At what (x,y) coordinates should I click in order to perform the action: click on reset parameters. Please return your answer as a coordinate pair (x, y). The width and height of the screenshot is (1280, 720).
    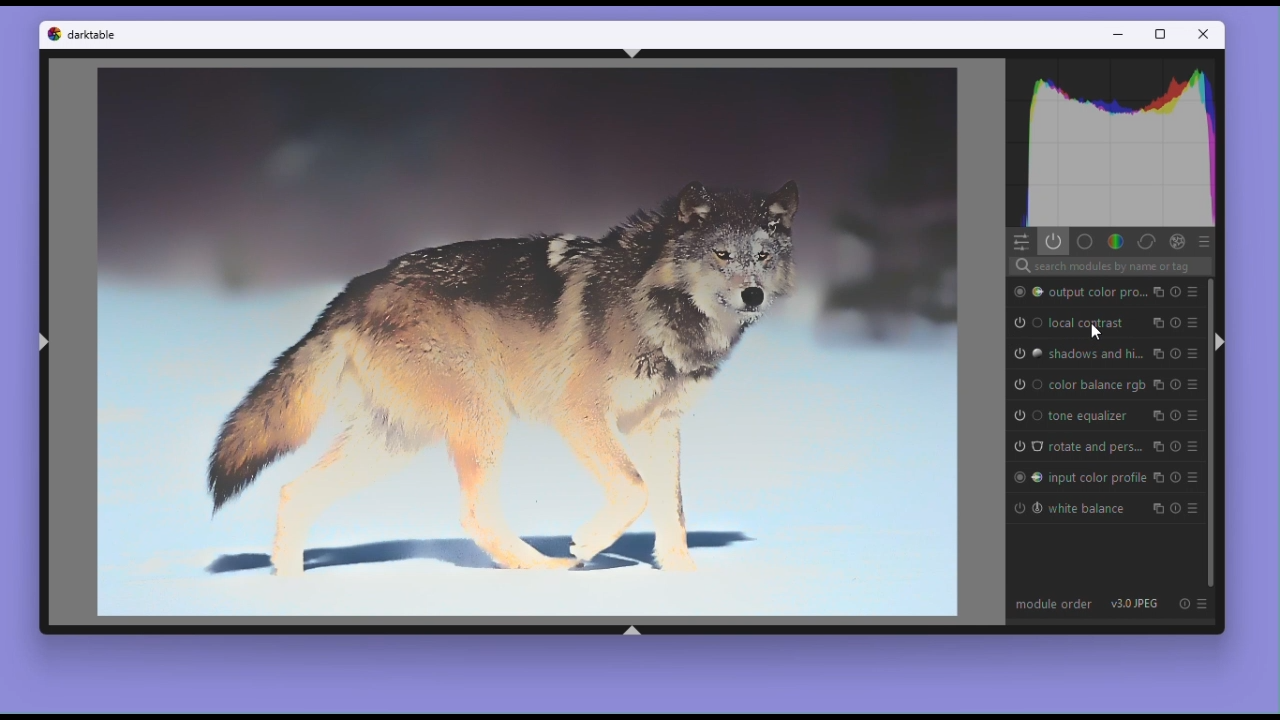
    Looking at the image, I should click on (1174, 291).